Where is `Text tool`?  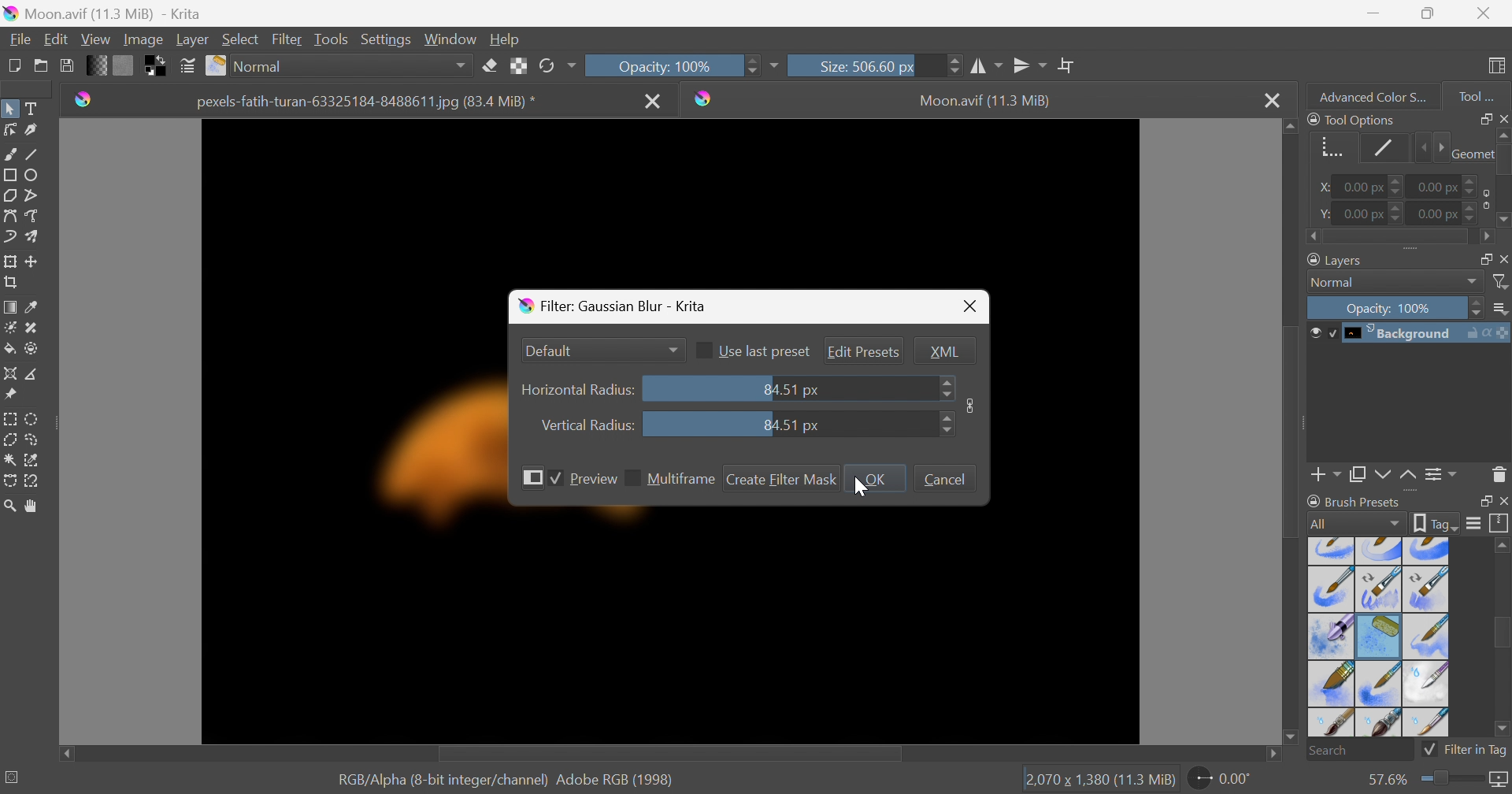 Text tool is located at coordinates (31, 108).